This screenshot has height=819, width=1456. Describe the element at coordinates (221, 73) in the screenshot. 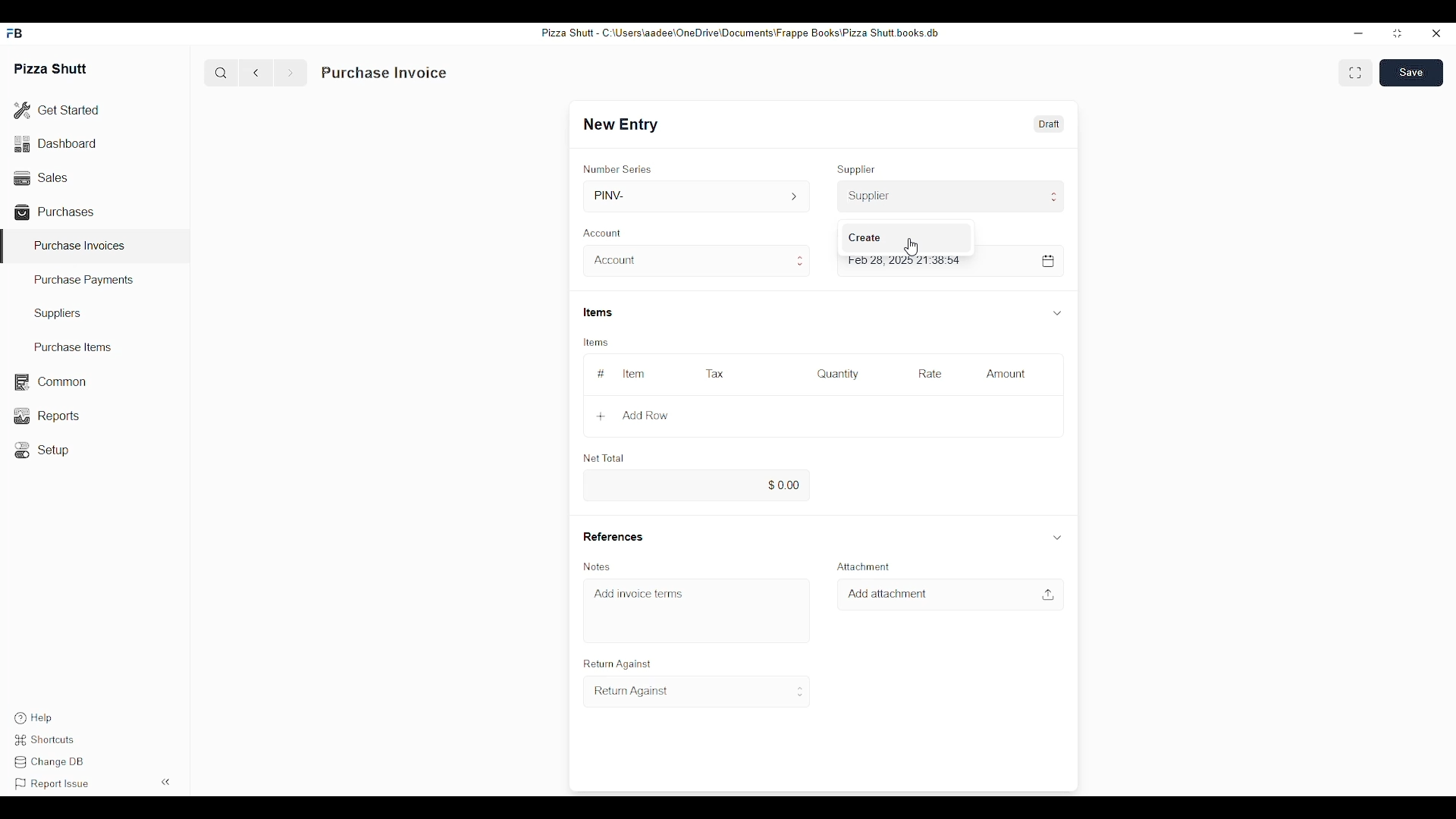

I see `search` at that location.